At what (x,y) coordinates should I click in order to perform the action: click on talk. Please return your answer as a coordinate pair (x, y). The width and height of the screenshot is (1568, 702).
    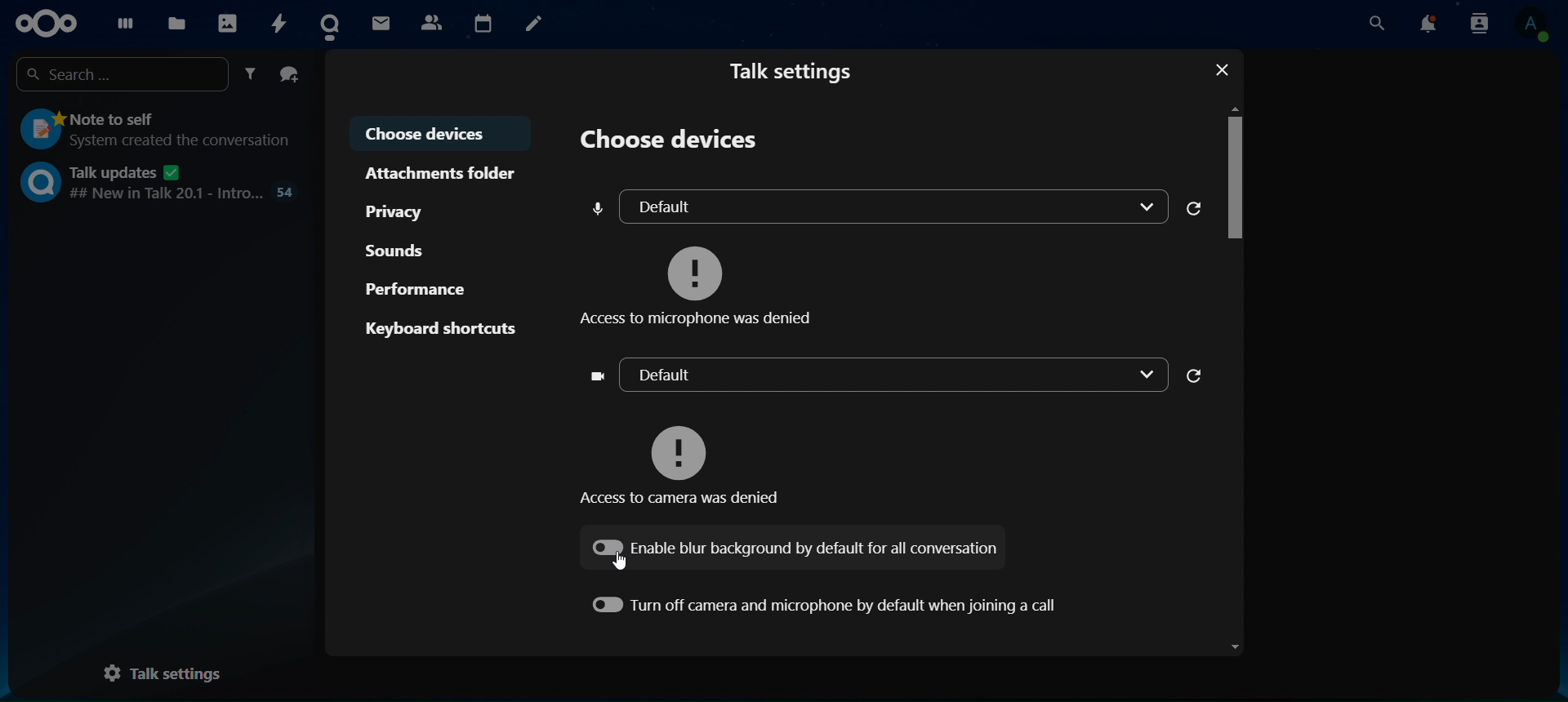
    Looking at the image, I should click on (332, 21).